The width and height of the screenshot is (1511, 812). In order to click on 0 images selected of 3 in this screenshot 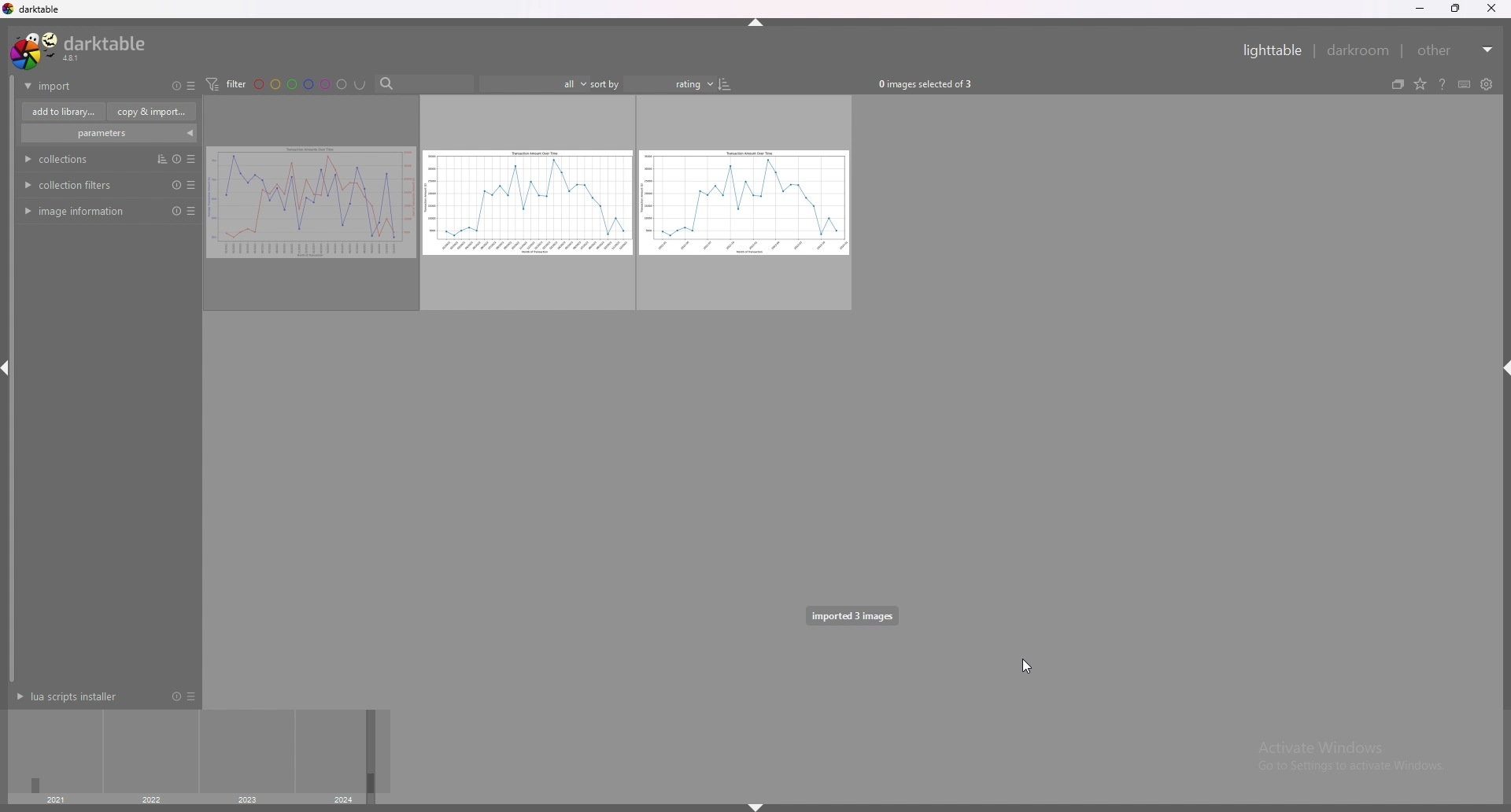, I will do `click(930, 83)`.